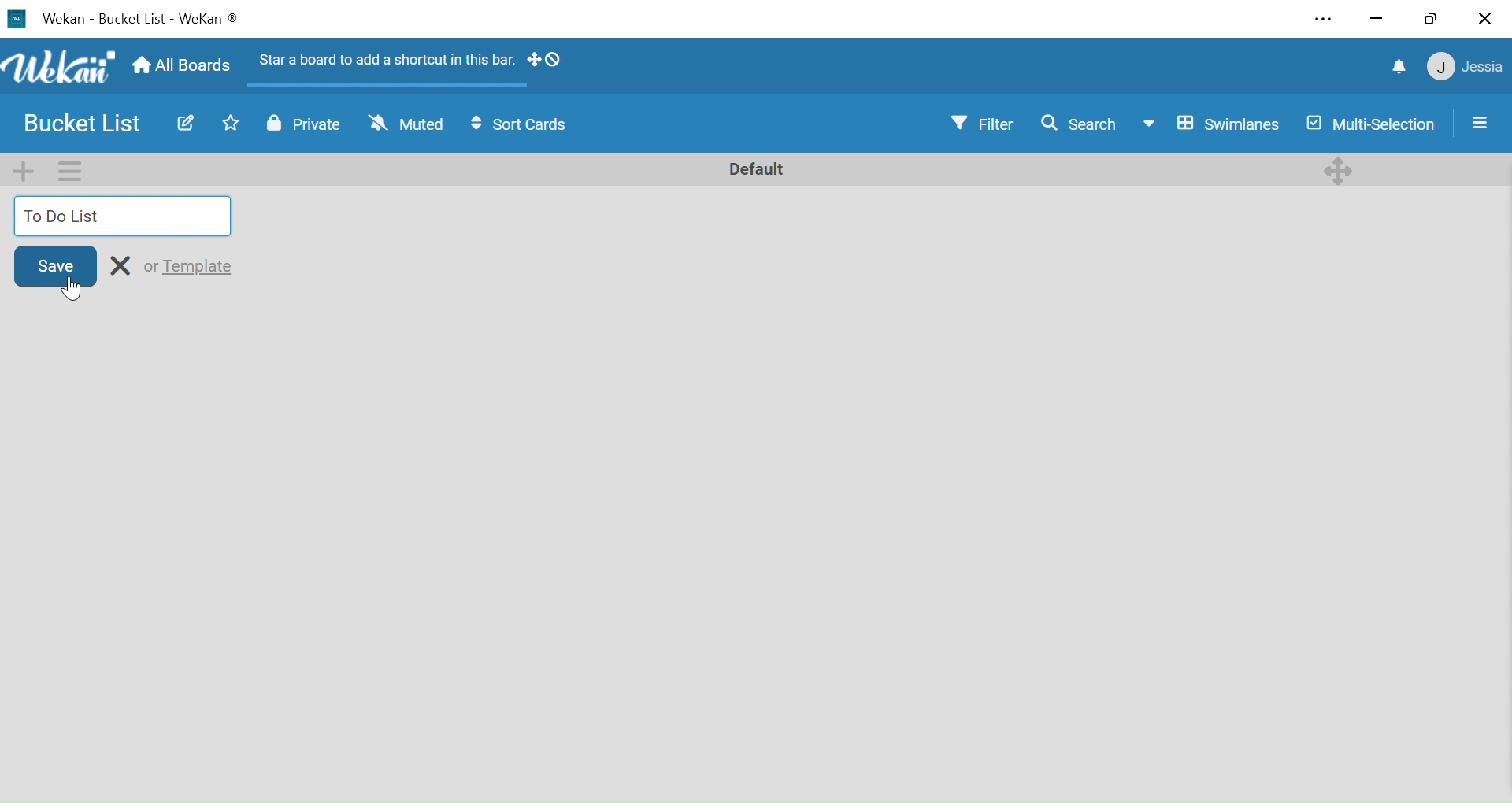  What do you see at coordinates (1377, 20) in the screenshot?
I see `minimize` at bounding box center [1377, 20].